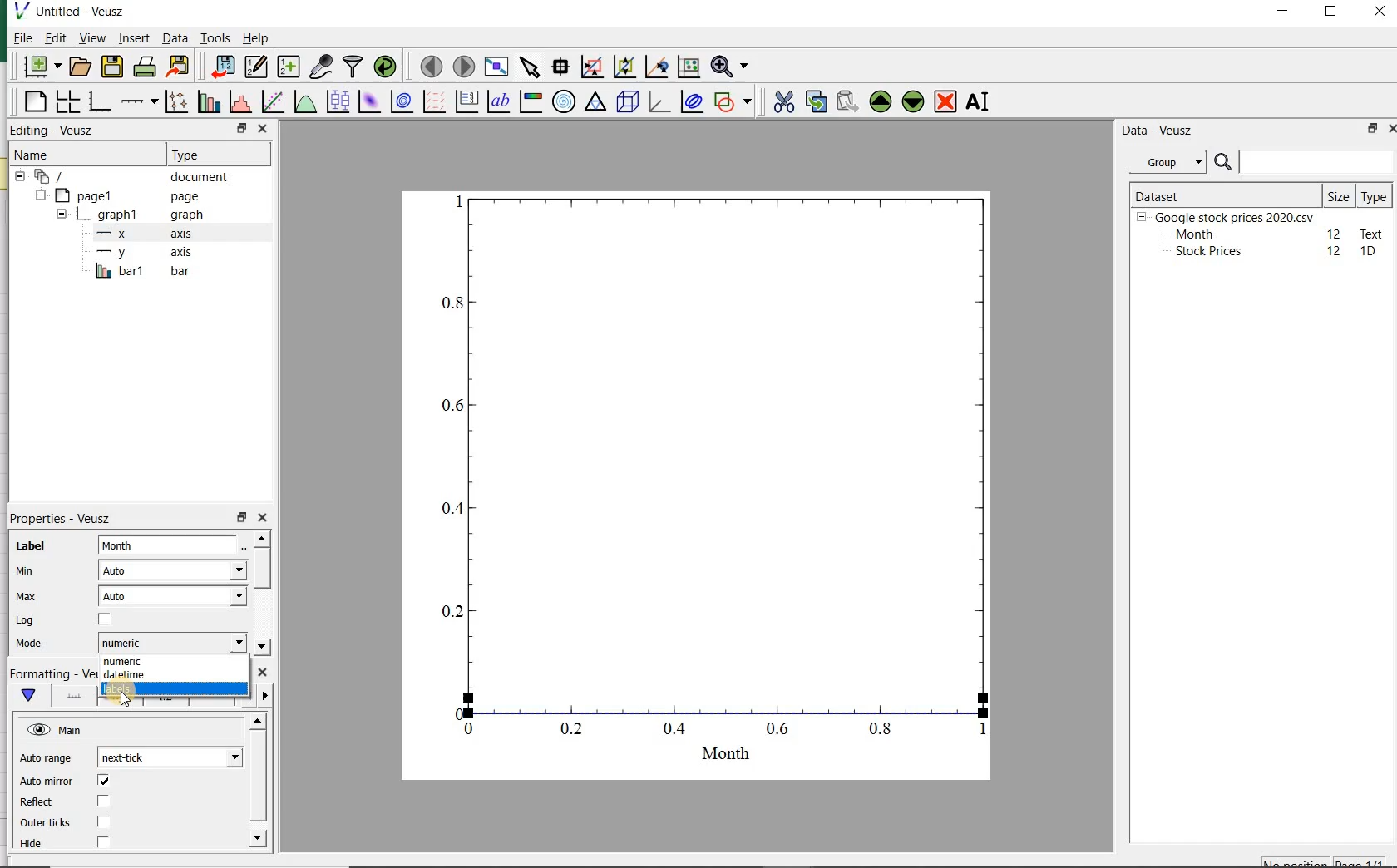 Image resolution: width=1397 pixels, height=868 pixels. What do you see at coordinates (704, 481) in the screenshot?
I see `graph` at bounding box center [704, 481].